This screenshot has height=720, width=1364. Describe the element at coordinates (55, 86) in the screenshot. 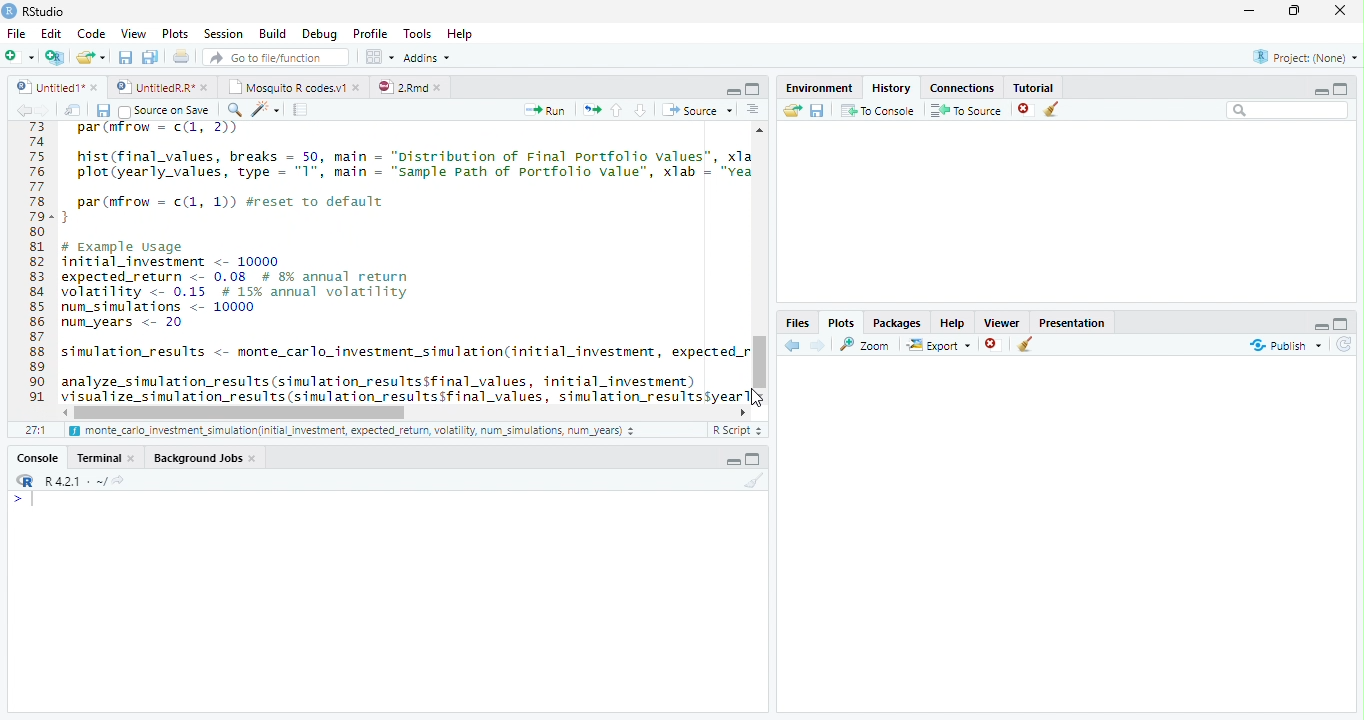

I see `Untited1*` at that location.